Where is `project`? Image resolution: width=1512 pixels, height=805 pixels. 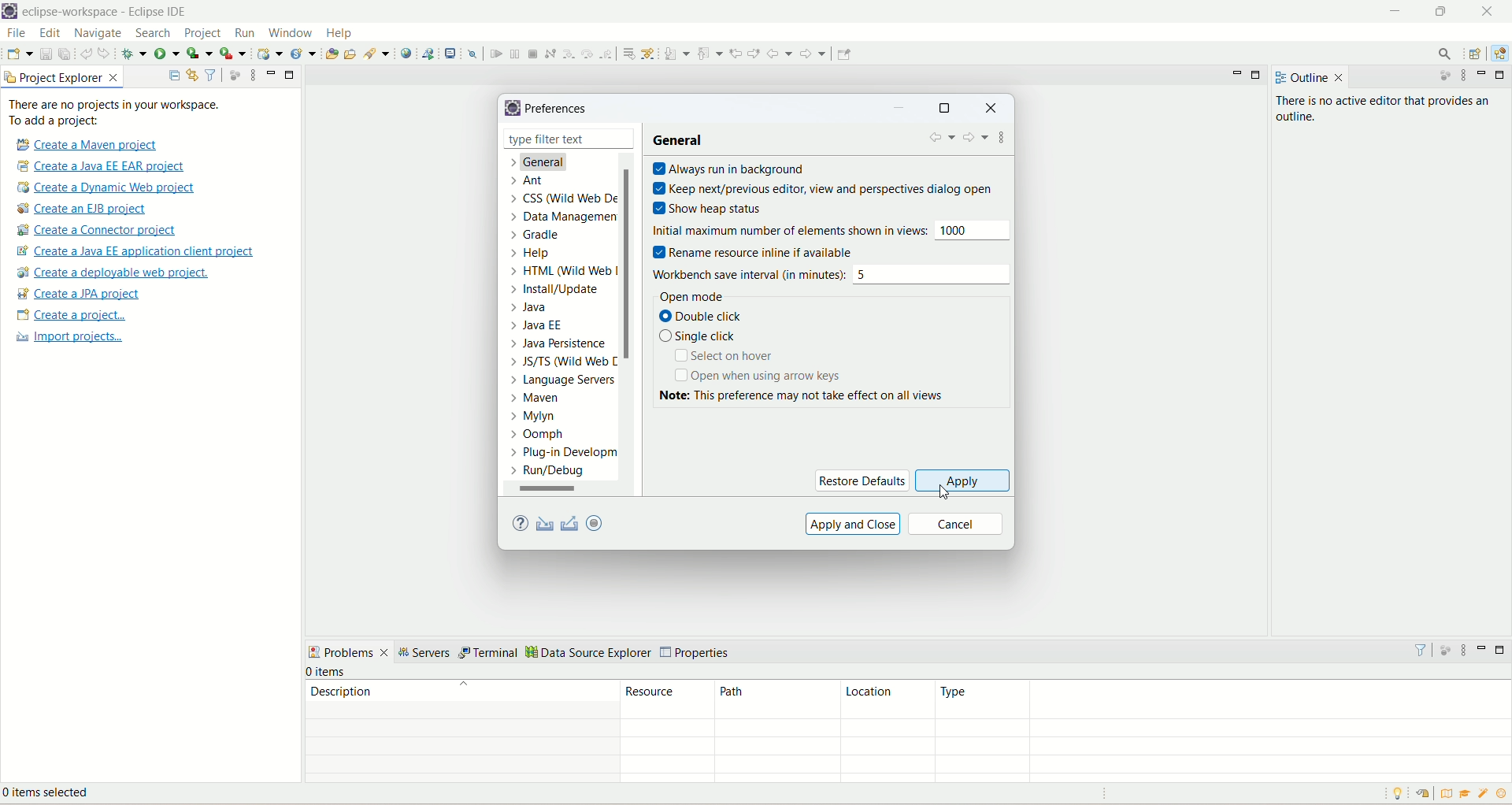 project is located at coordinates (203, 35).